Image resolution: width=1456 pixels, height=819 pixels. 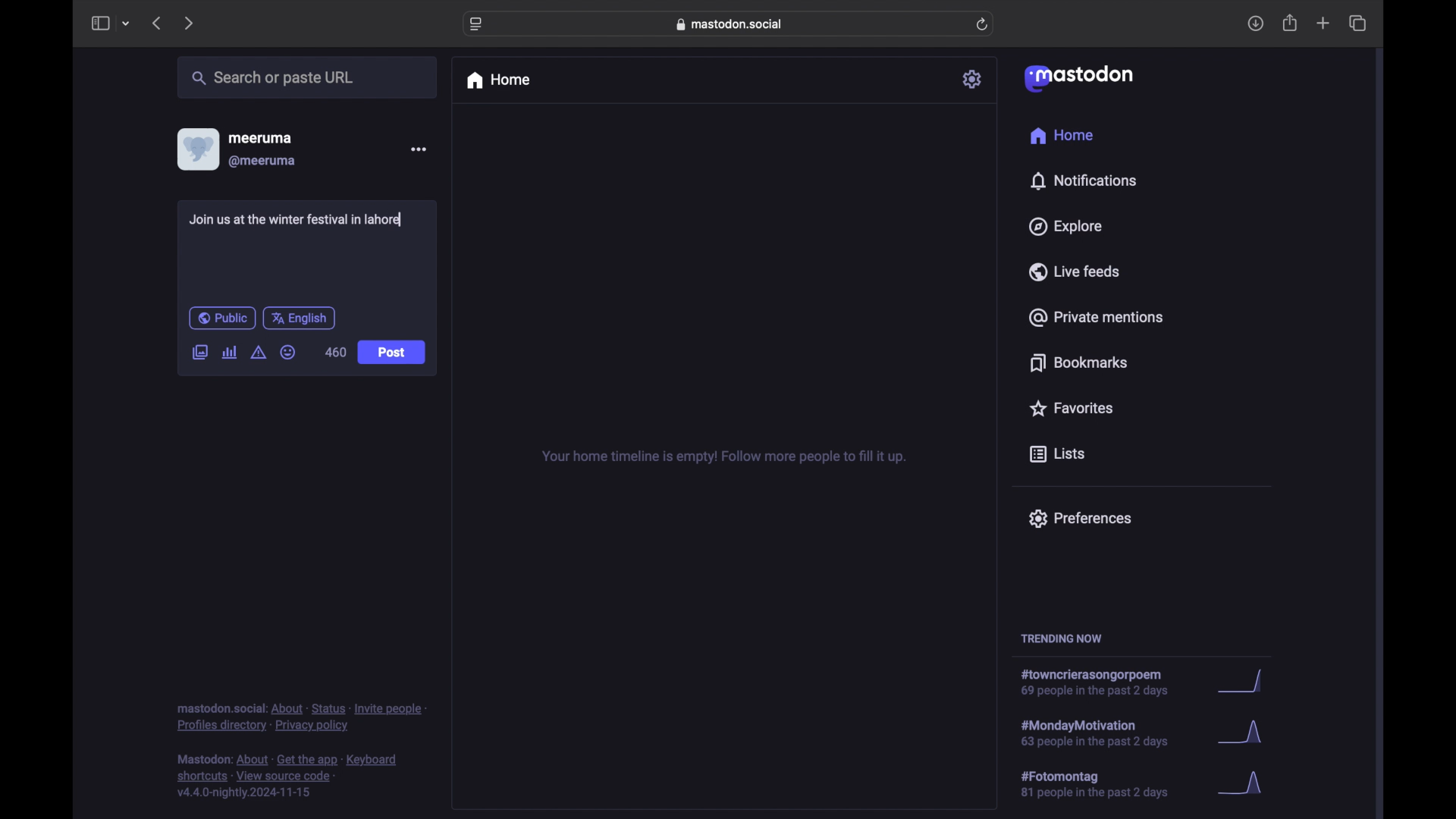 I want to click on new tab, so click(x=1323, y=23).